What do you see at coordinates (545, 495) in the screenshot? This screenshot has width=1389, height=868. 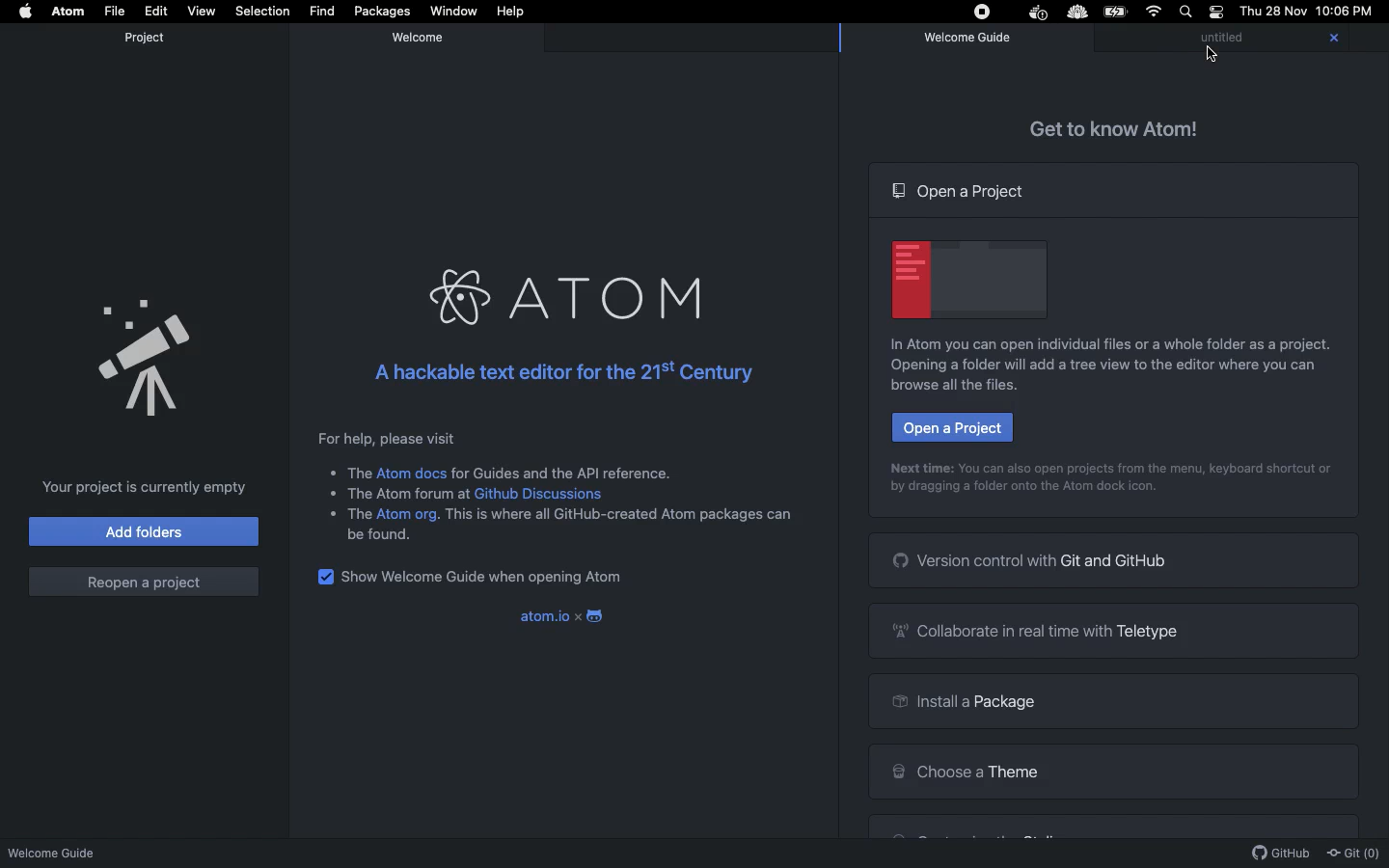 I see `Github Discussion` at bounding box center [545, 495].